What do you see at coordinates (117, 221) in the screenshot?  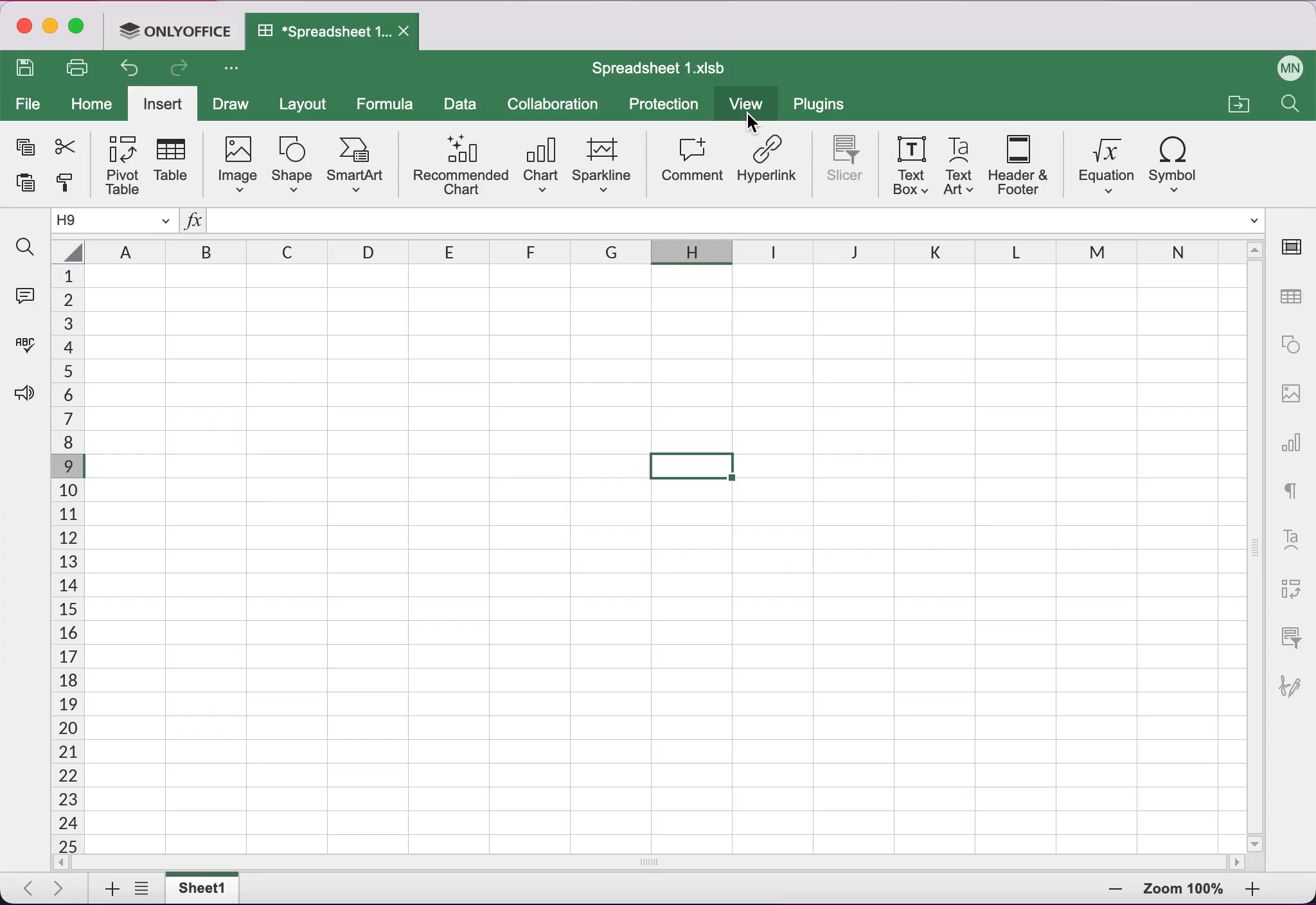 I see `current cell` at bounding box center [117, 221].